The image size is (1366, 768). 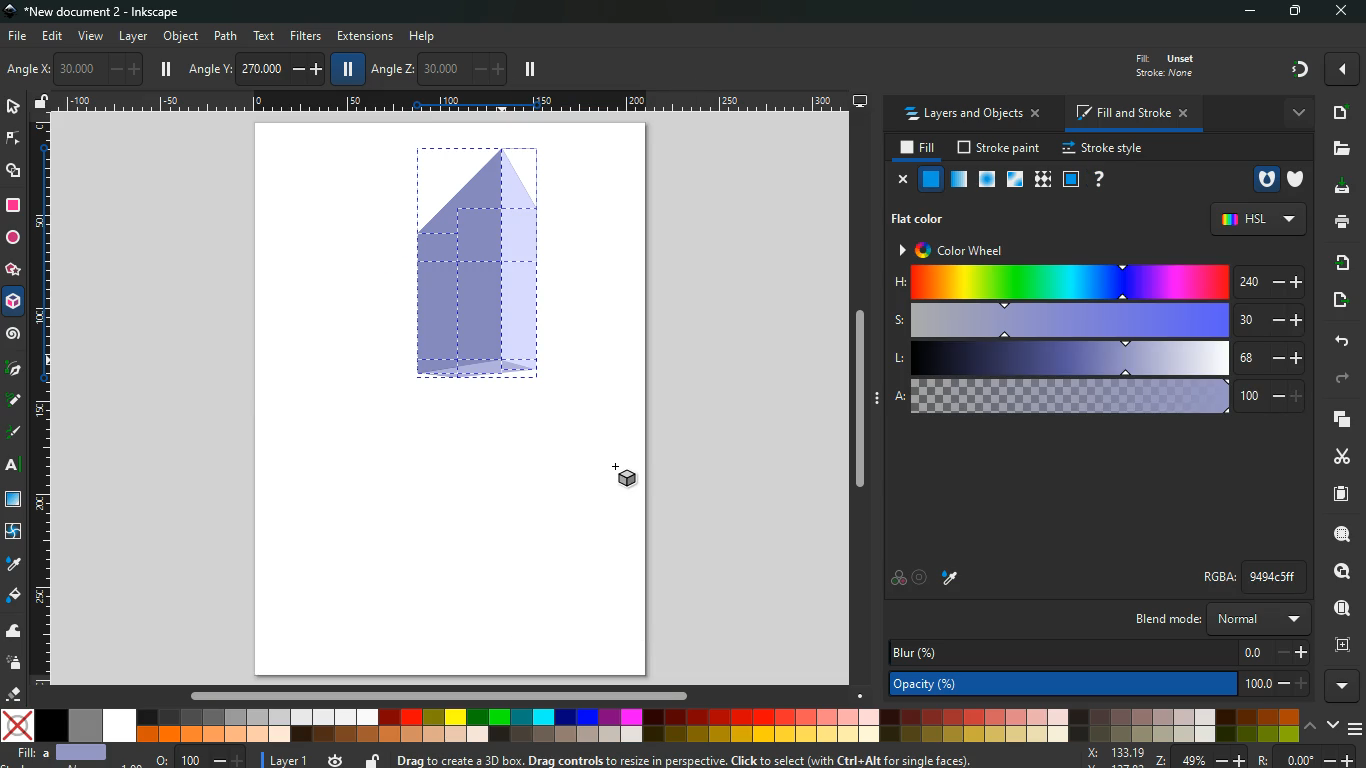 I want to click on files, so click(x=1339, y=150).